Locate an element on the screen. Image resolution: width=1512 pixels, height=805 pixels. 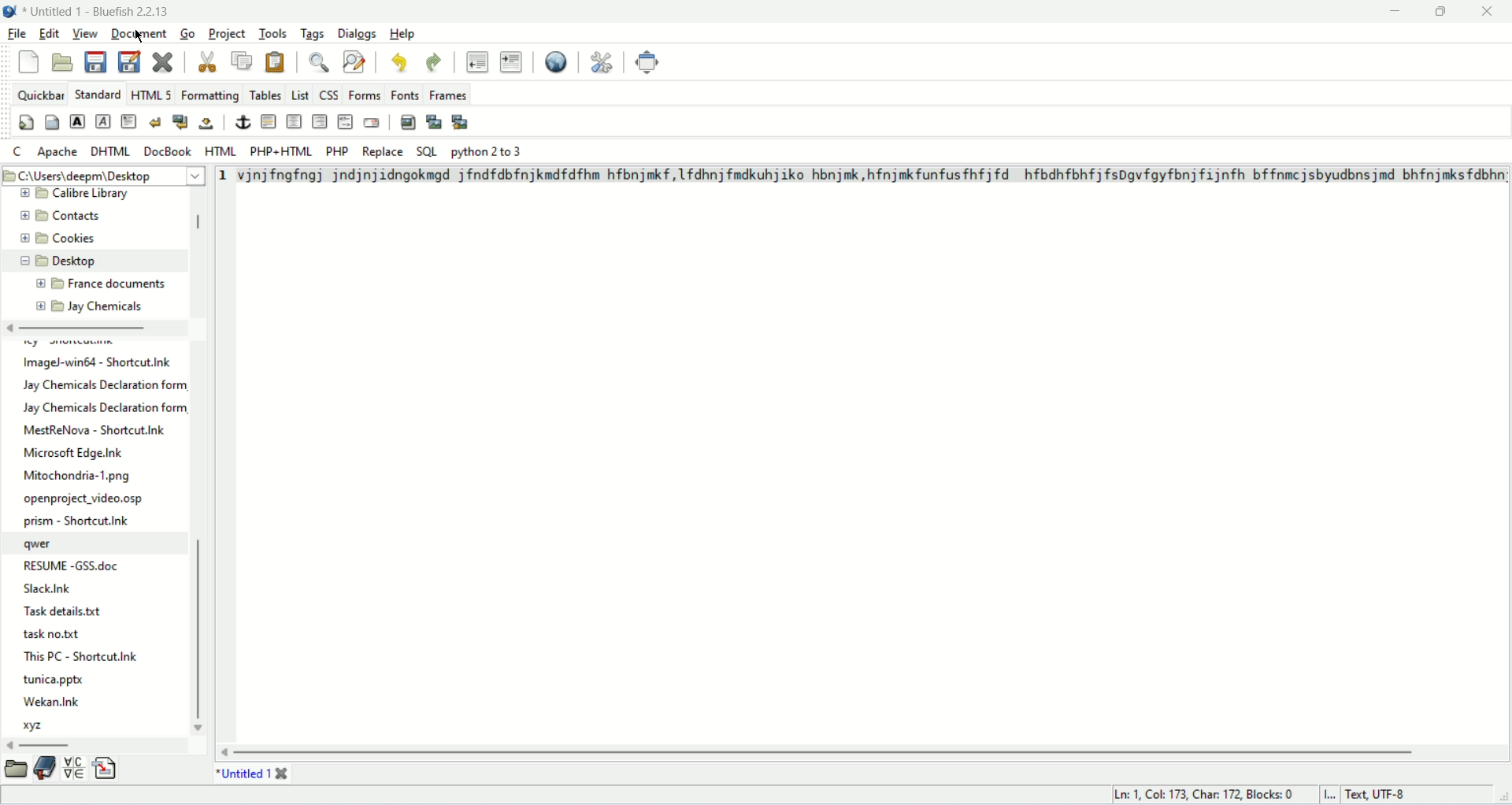
France documents. is located at coordinates (118, 284).